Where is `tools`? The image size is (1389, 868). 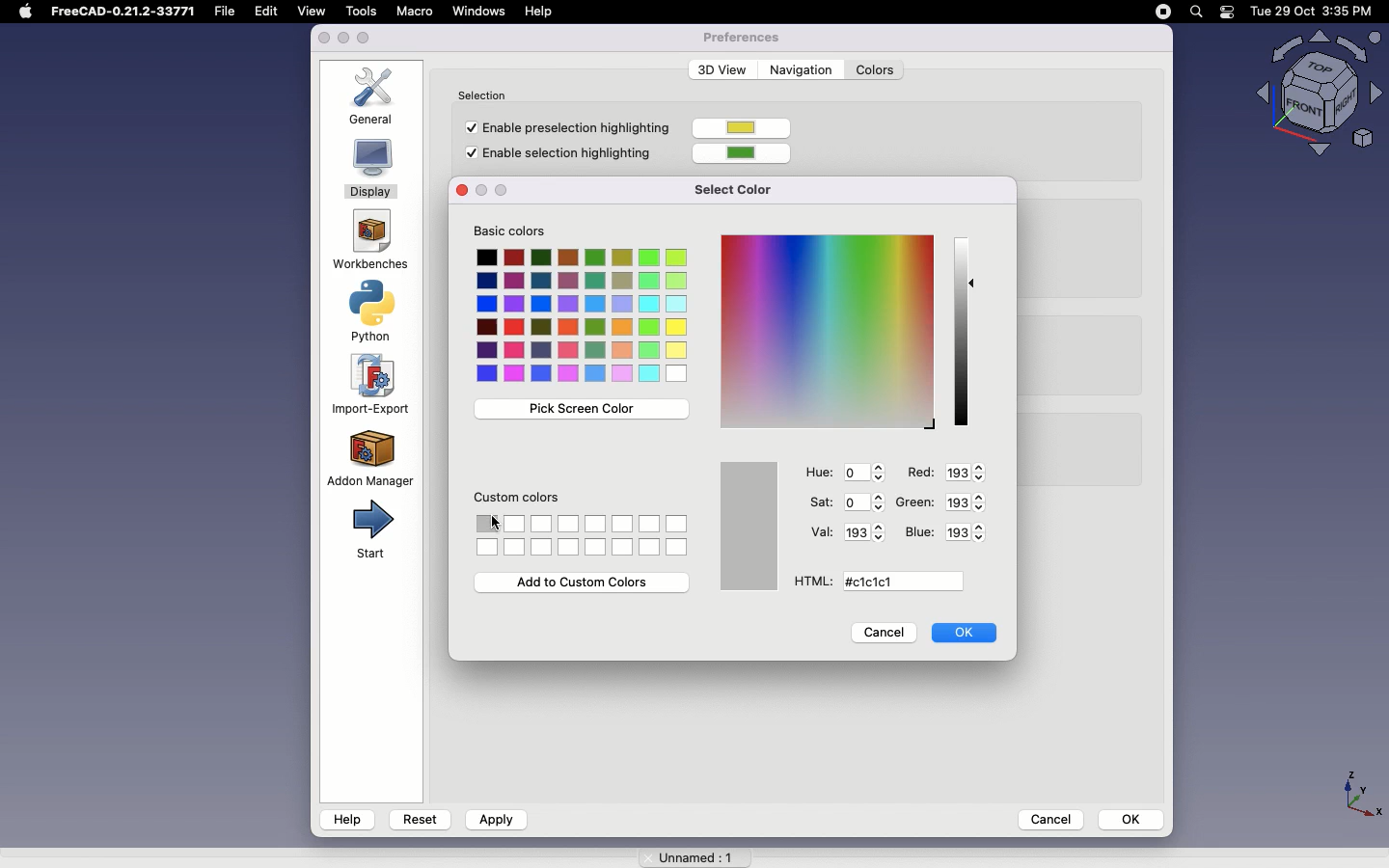
tools is located at coordinates (360, 11).